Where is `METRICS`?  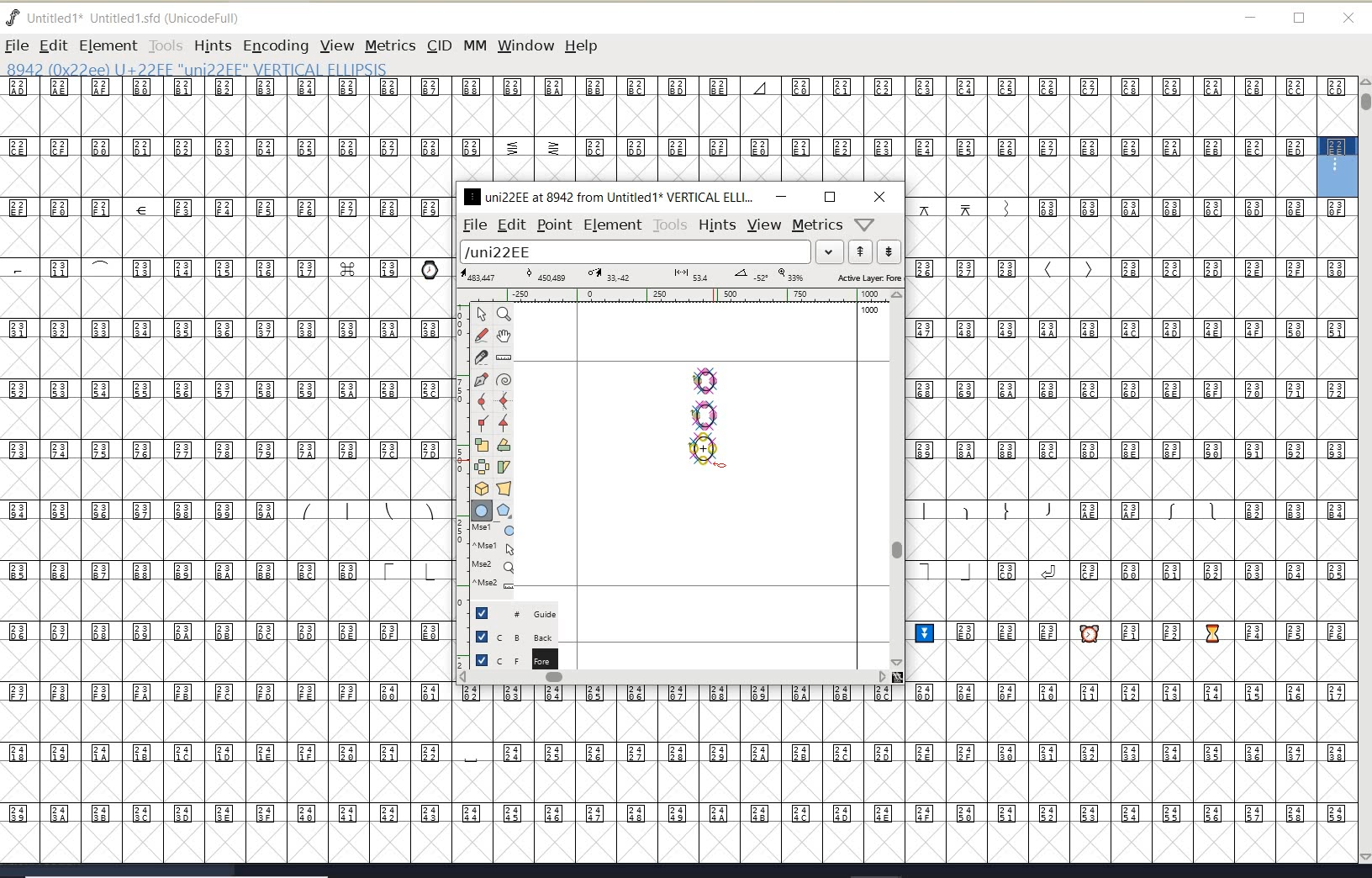 METRICS is located at coordinates (390, 45).